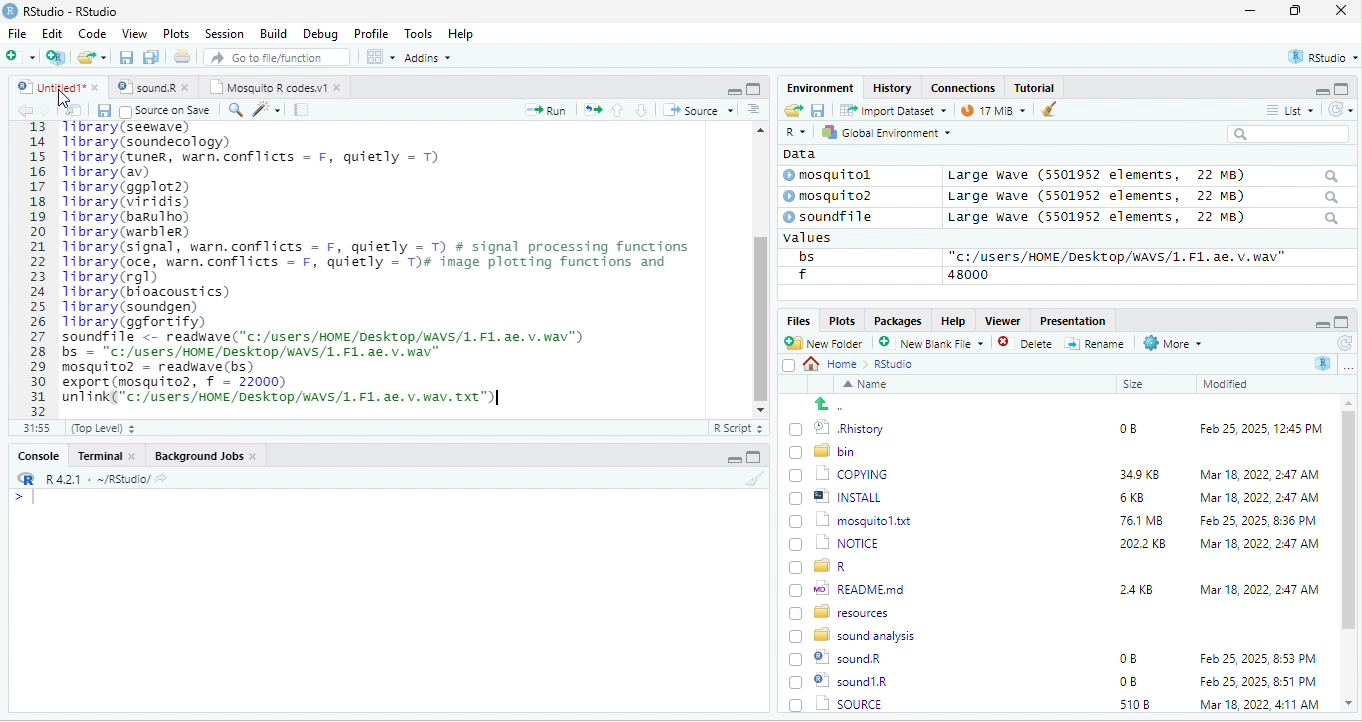 Image resolution: width=1362 pixels, height=722 pixels. What do you see at coordinates (1145, 704) in the screenshot?
I see `1302 KB` at bounding box center [1145, 704].